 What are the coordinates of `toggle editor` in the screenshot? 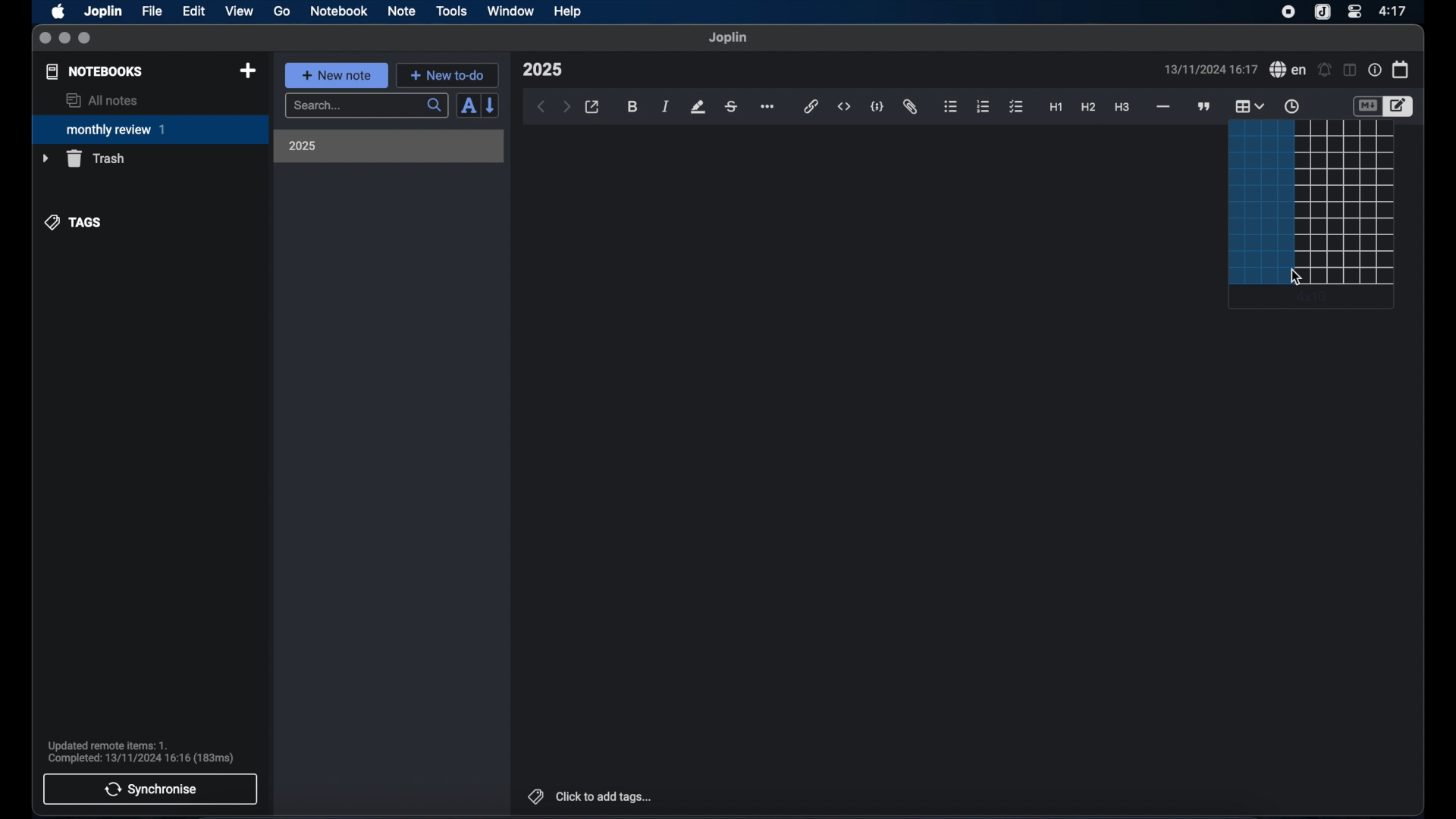 It's located at (1401, 107).